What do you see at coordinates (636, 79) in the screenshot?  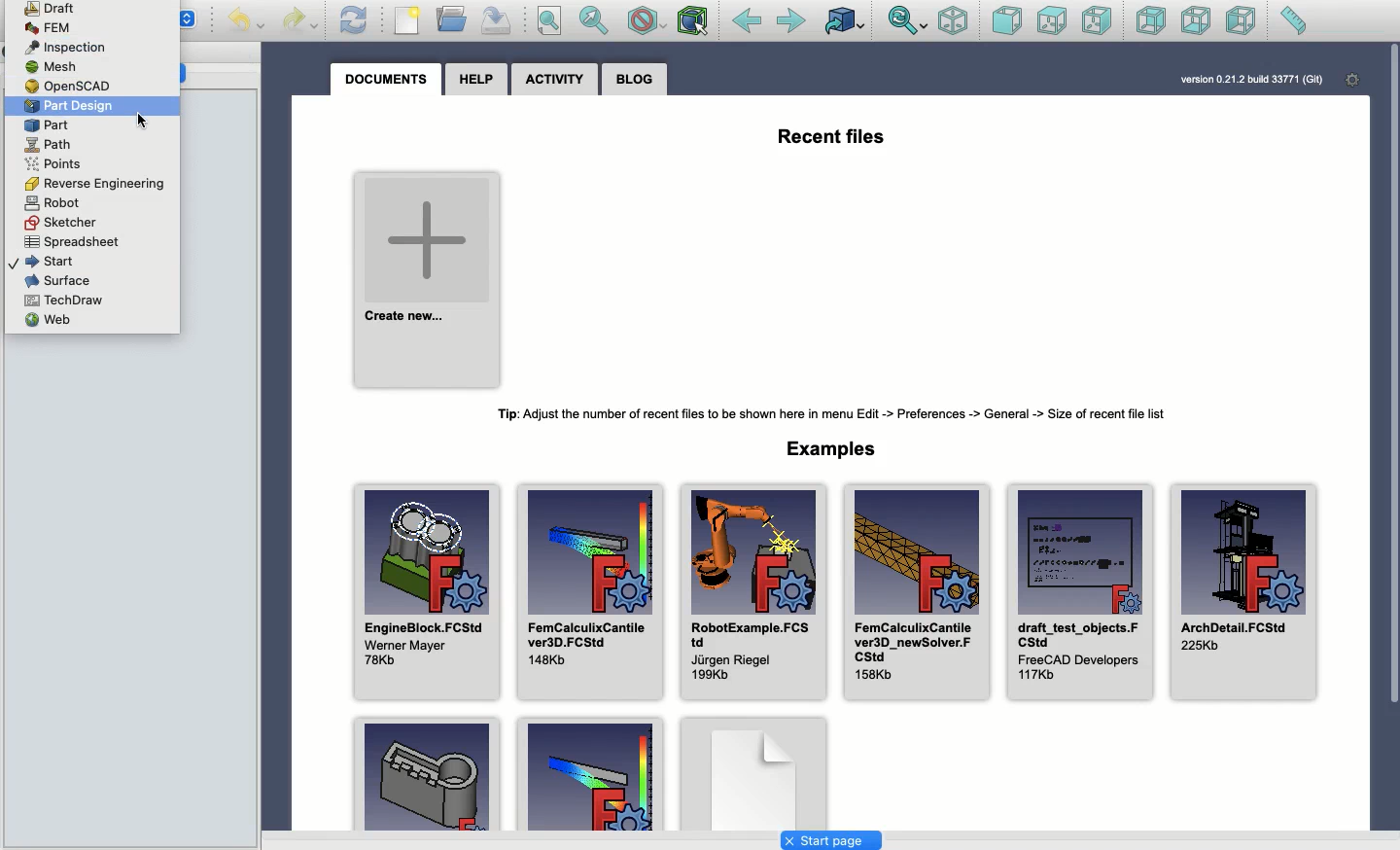 I see `Blog` at bounding box center [636, 79].